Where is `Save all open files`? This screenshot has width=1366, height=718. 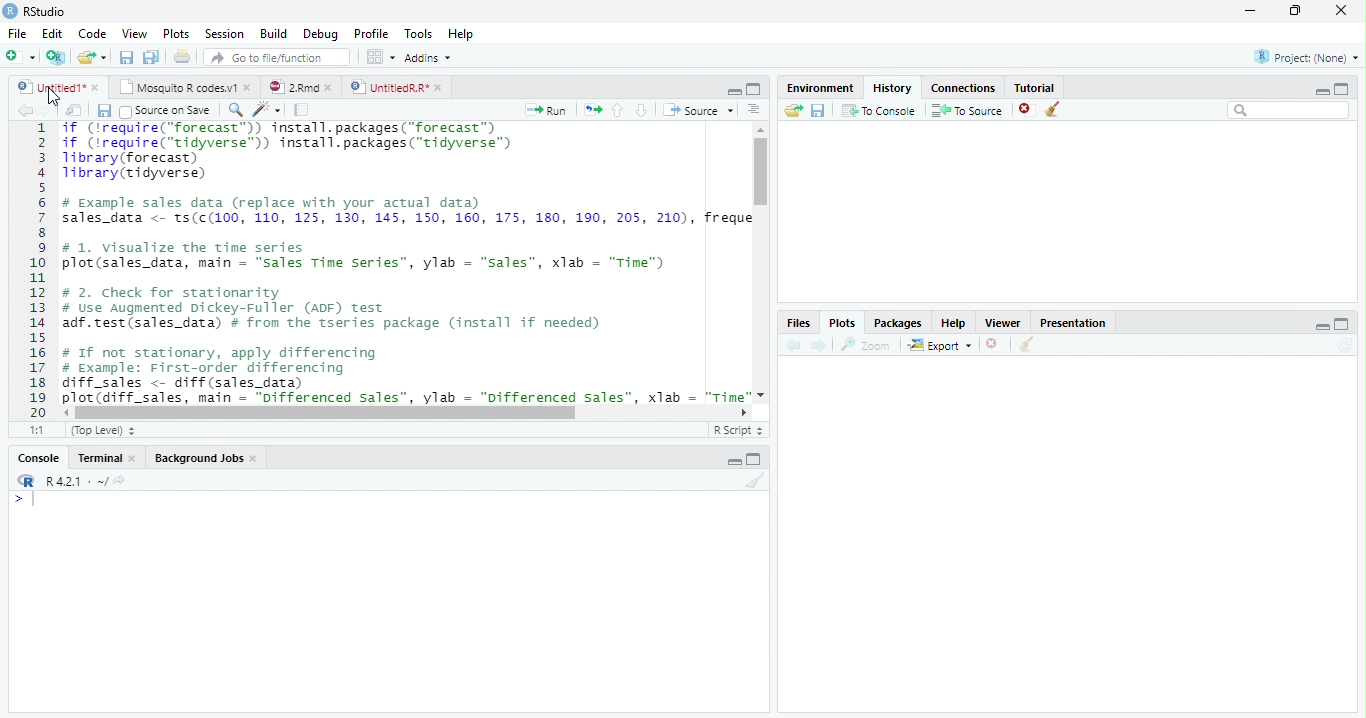 Save all open files is located at coordinates (152, 57).